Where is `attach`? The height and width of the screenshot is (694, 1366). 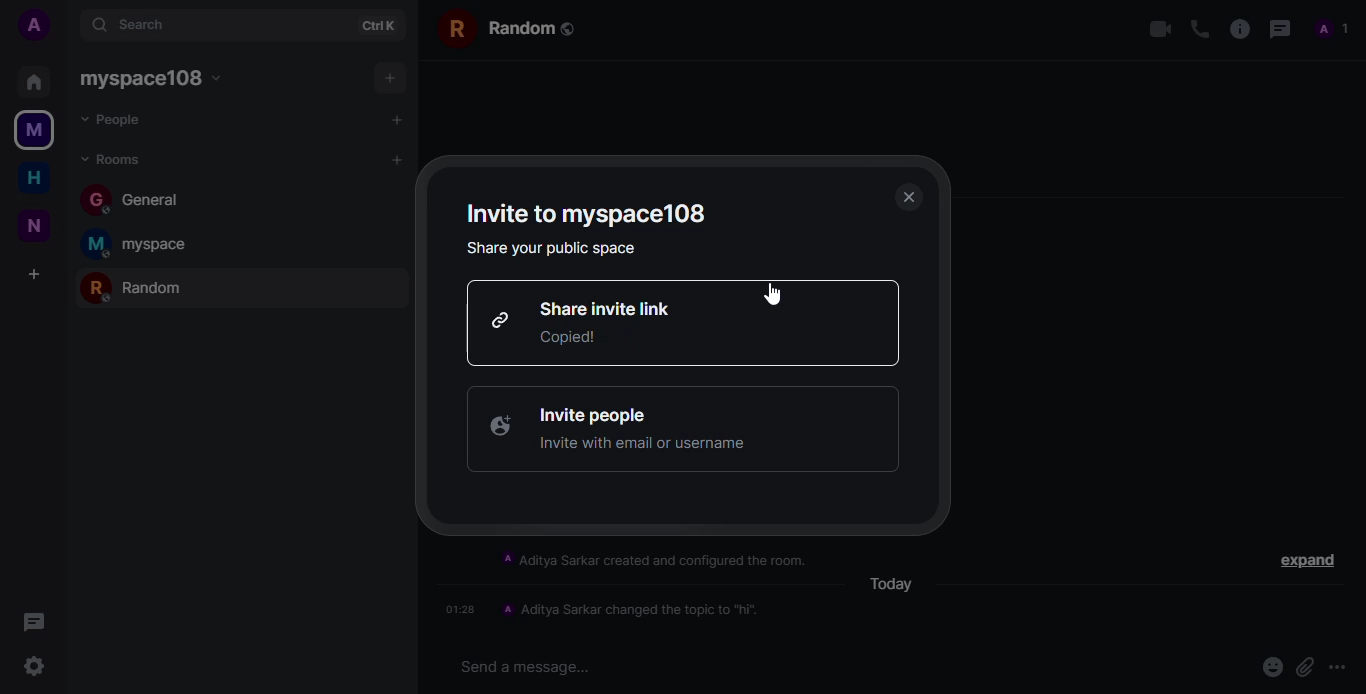
attach is located at coordinates (1308, 666).